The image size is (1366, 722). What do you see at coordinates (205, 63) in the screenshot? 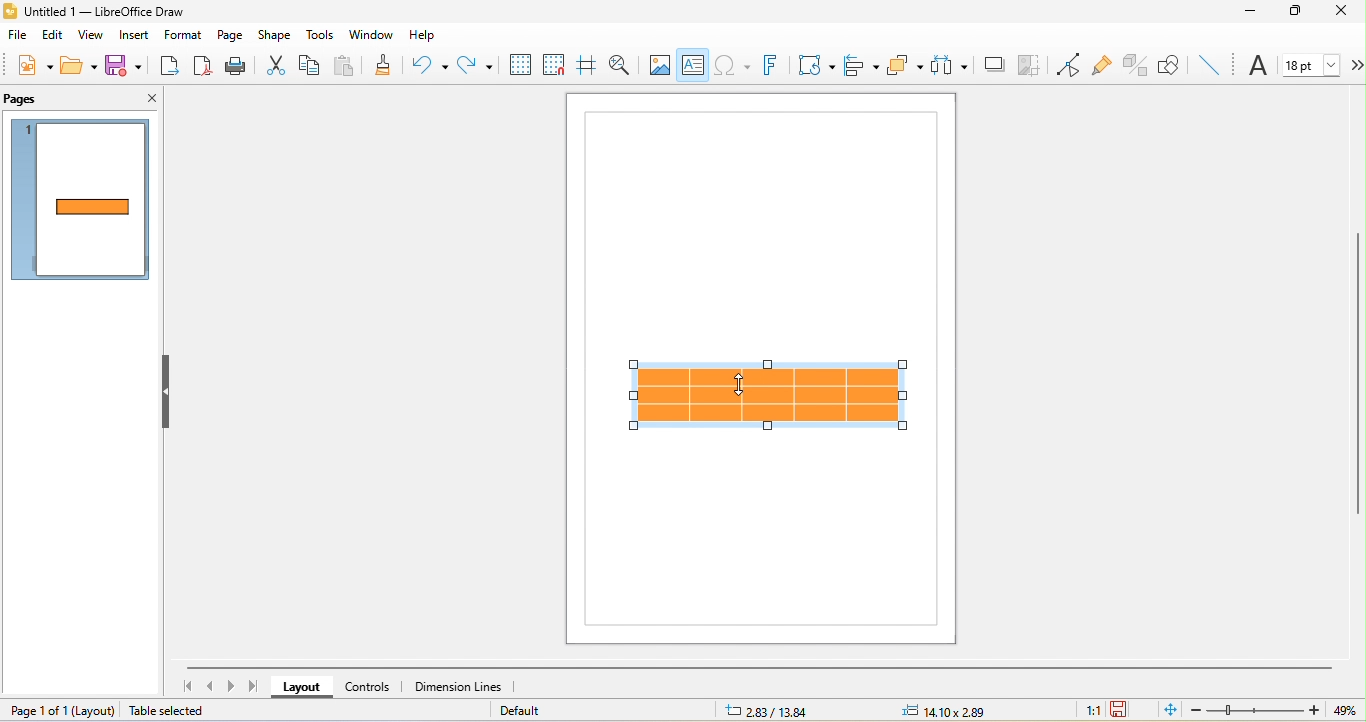
I see `export directly as pdf` at bounding box center [205, 63].